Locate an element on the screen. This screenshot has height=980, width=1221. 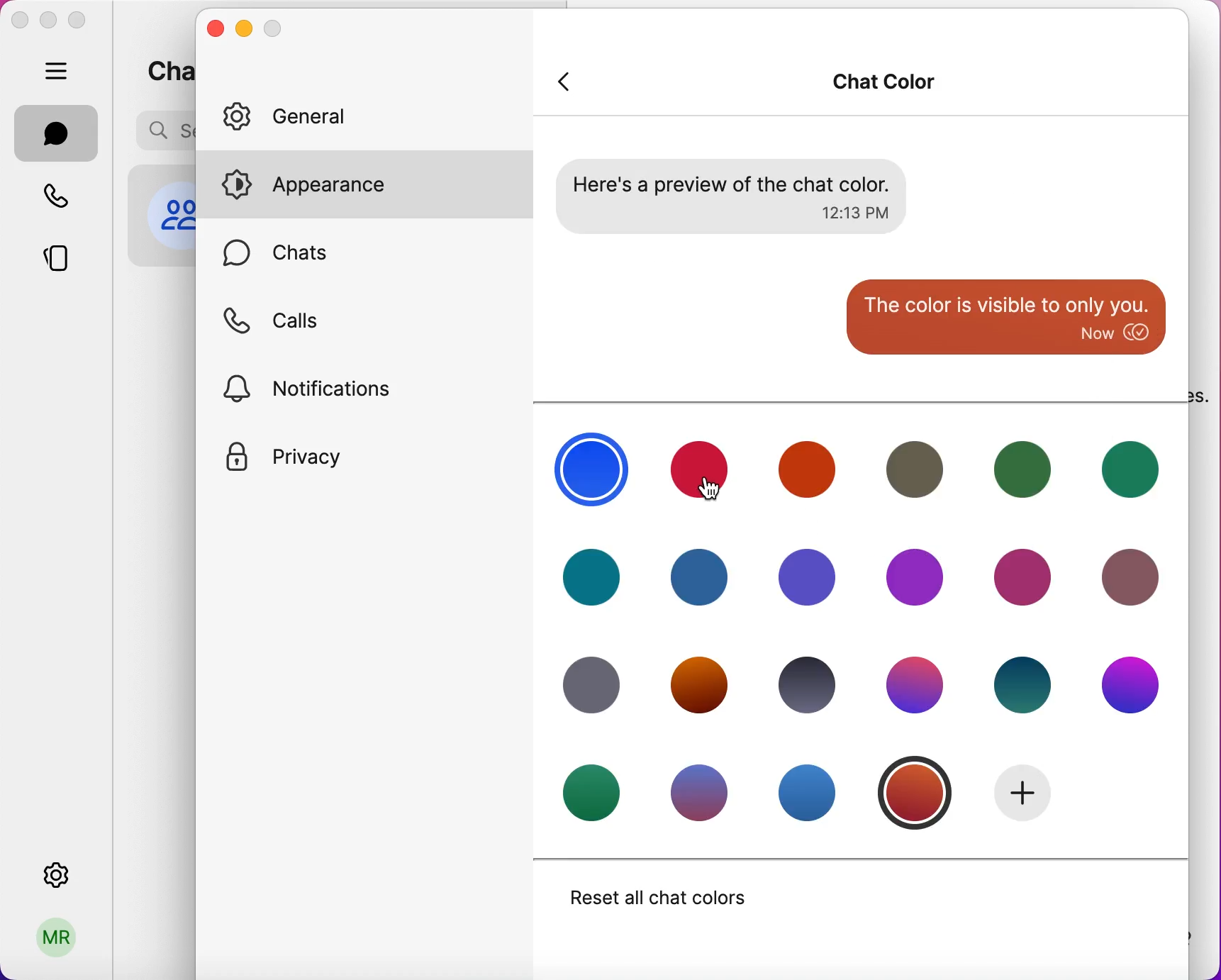
color is visible to only you is located at coordinates (1008, 318).